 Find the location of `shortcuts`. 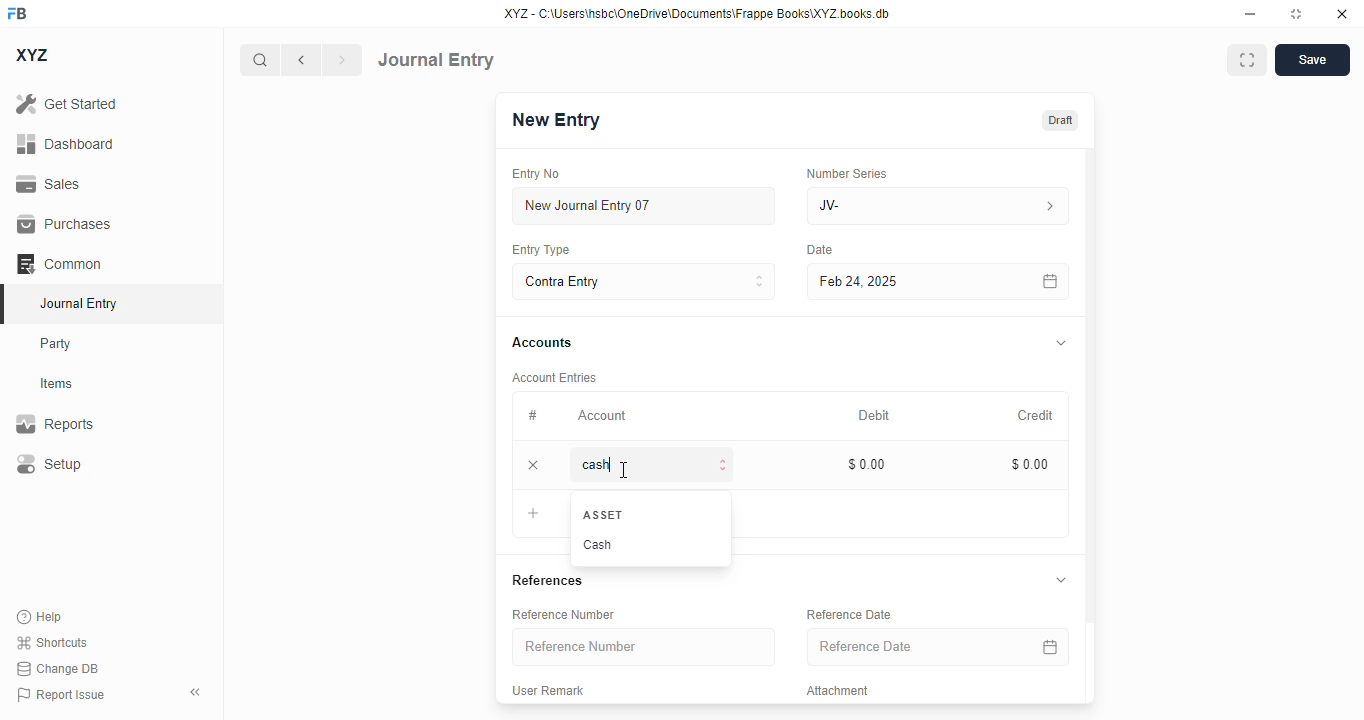

shortcuts is located at coordinates (52, 642).